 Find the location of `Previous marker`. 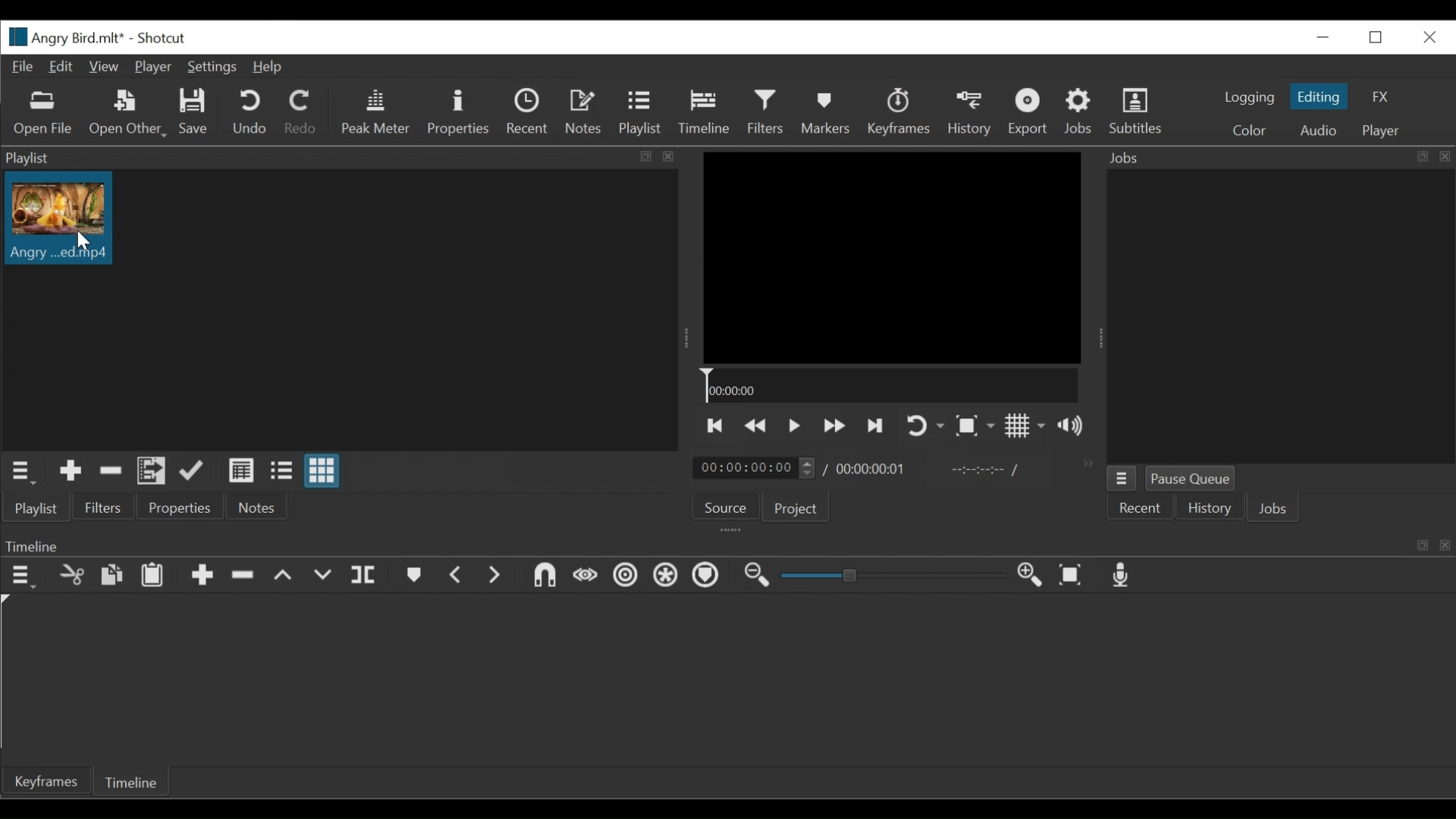

Previous marker is located at coordinates (457, 576).